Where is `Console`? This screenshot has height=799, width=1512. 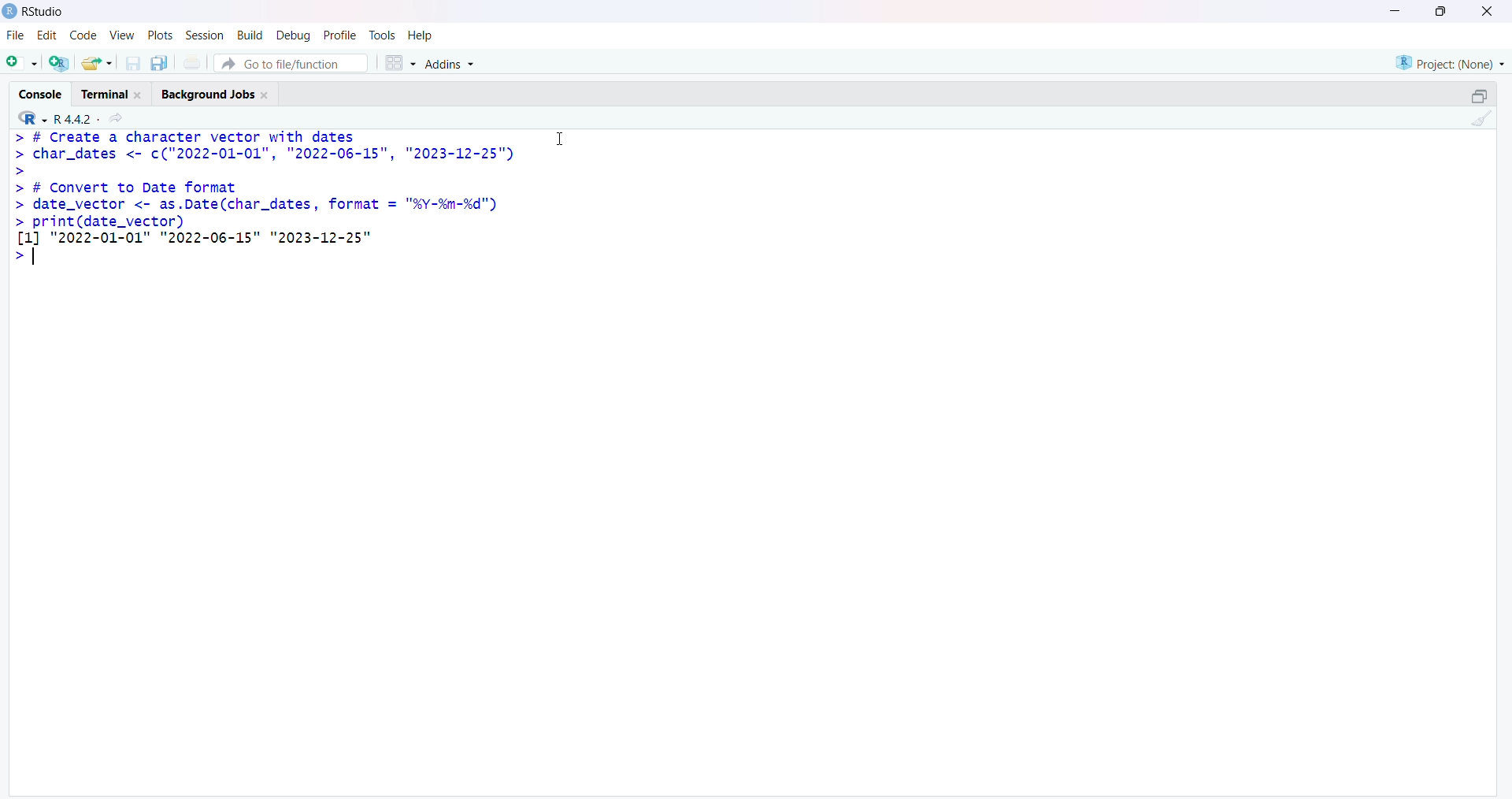 Console is located at coordinates (42, 91).